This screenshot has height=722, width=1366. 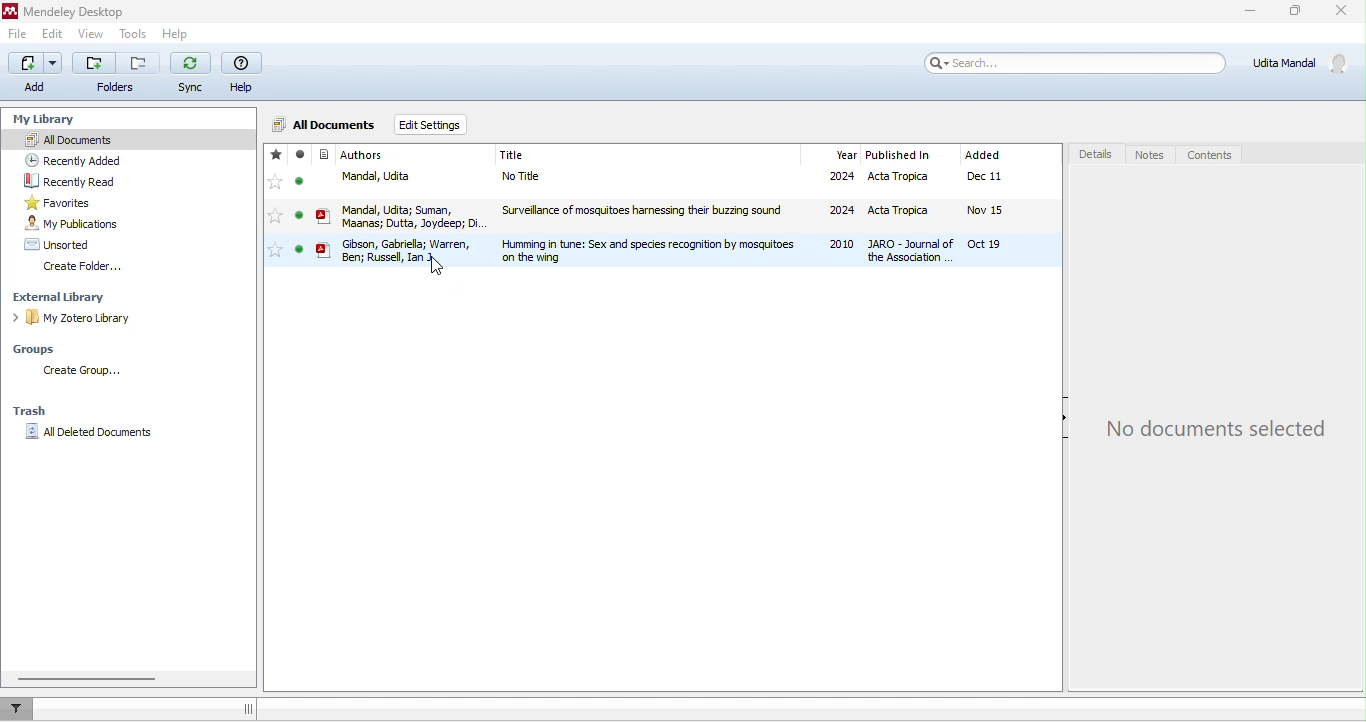 What do you see at coordinates (697, 182) in the screenshot?
I see `file` at bounding box center [697, 182].